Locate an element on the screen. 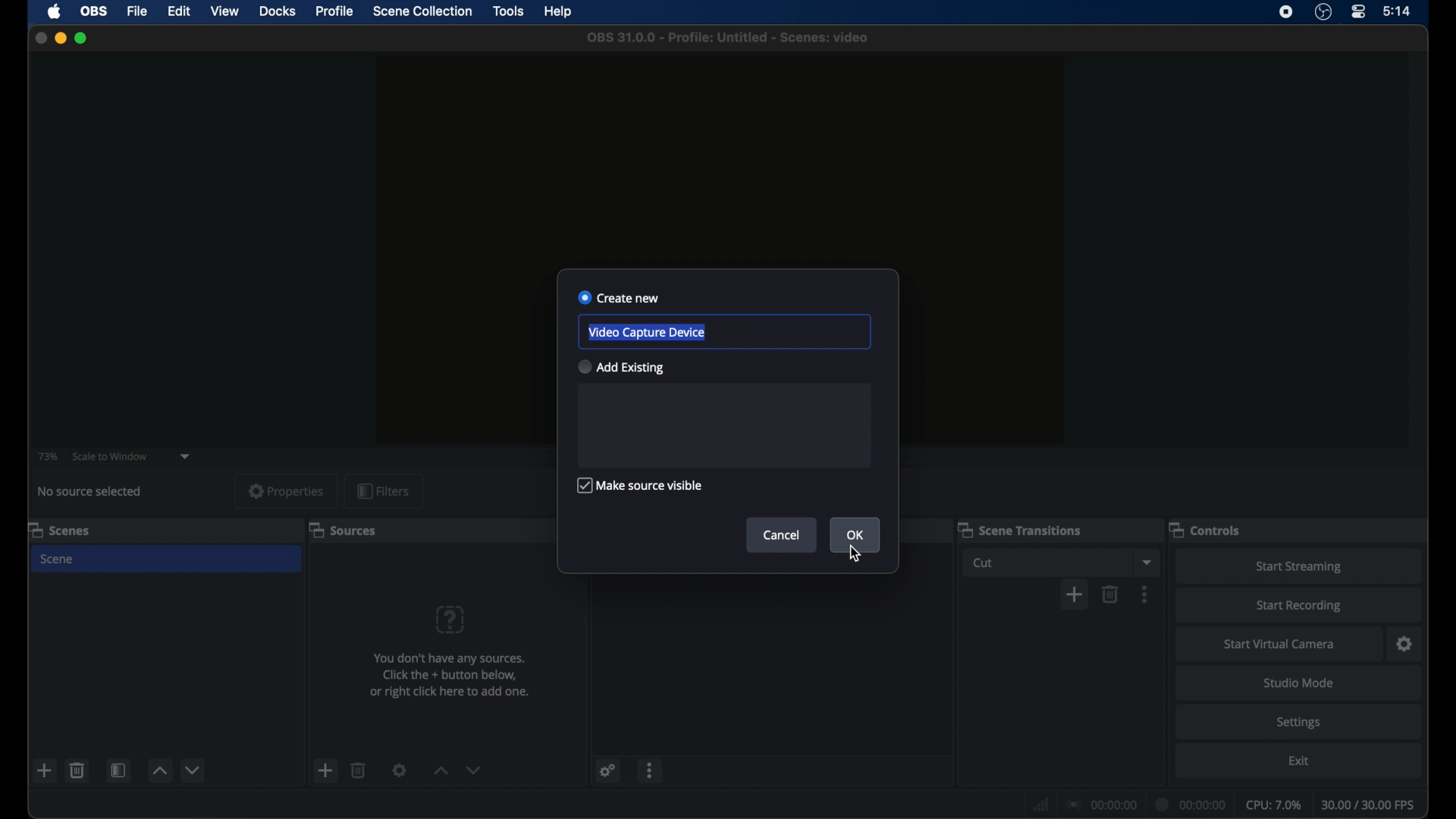 The width and height of the screenshot is (1456, 819). settings is located at coordinates (1405, 645).